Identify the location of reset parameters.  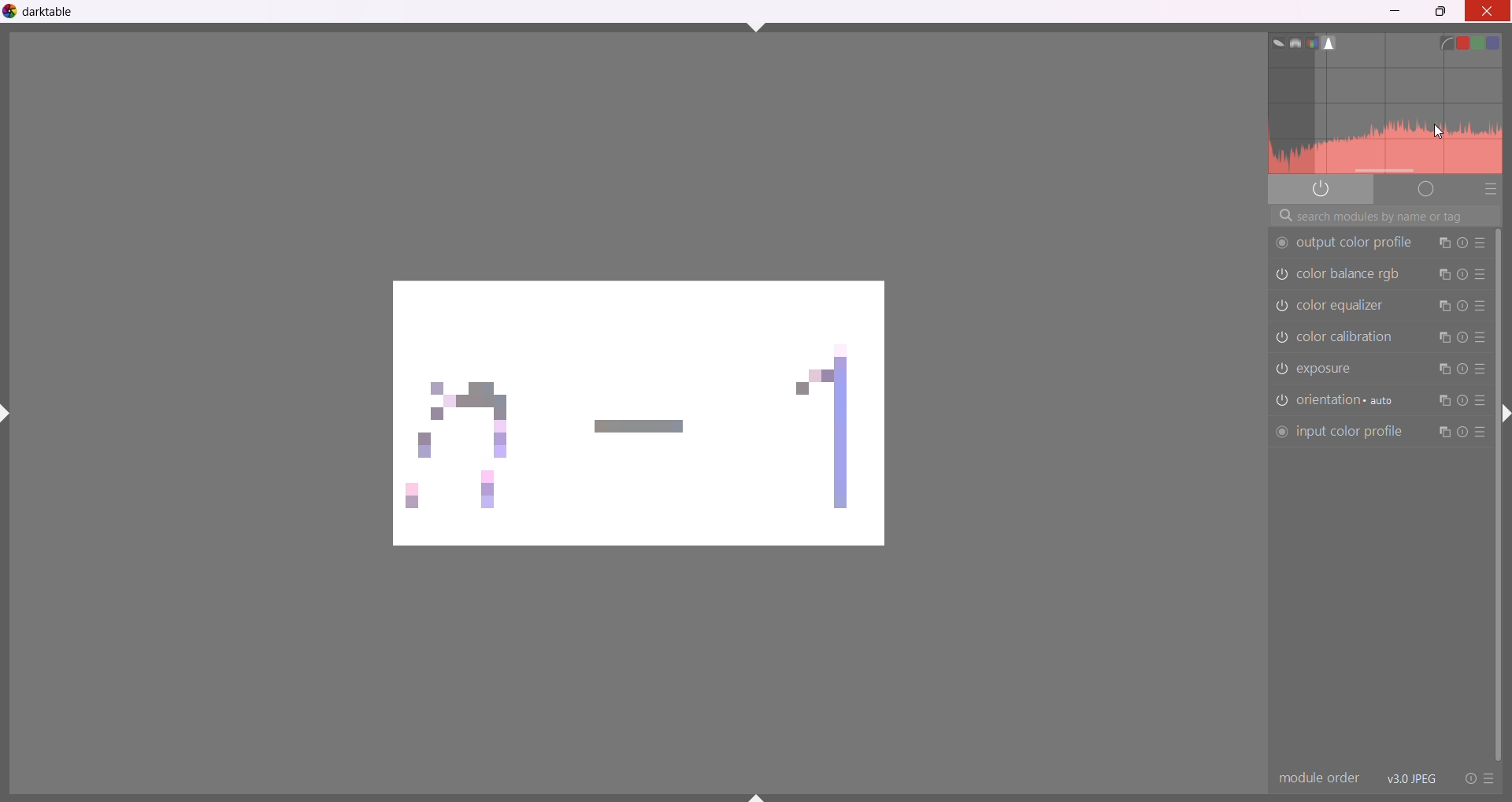
(1463, 276).